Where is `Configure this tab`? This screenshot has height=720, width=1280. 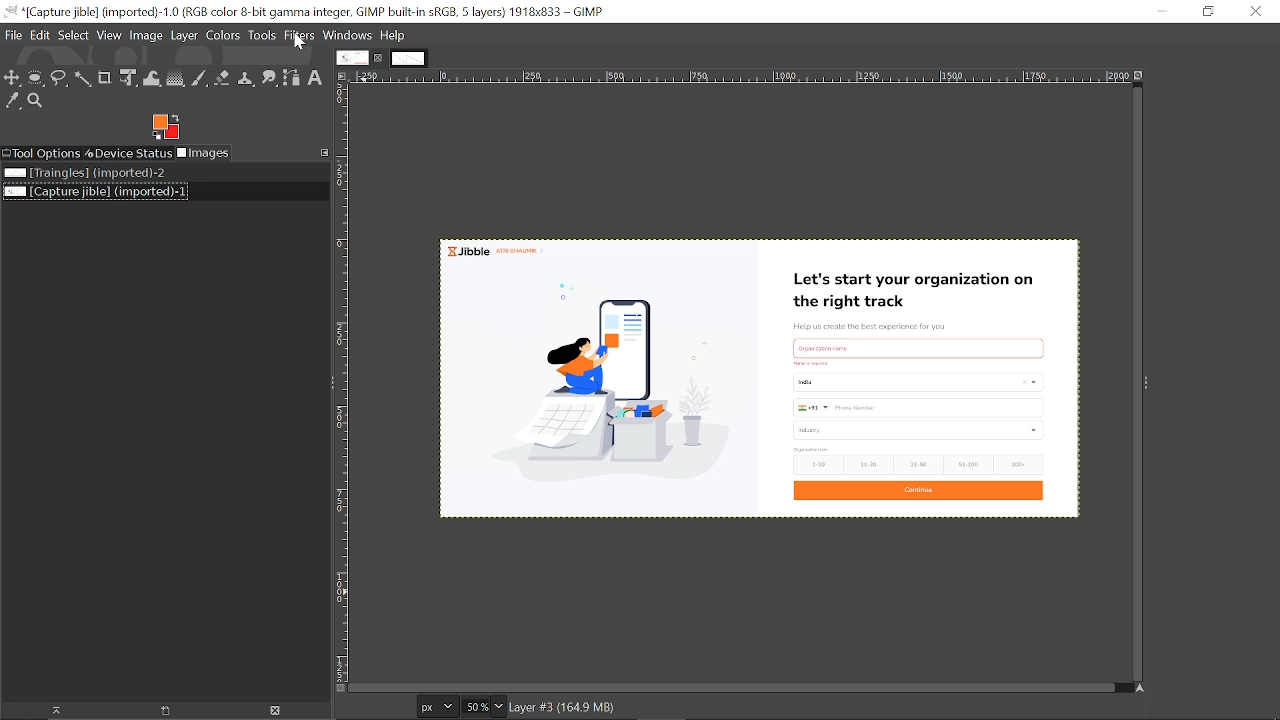 Configure this tab is located at coordinates (324, 152).